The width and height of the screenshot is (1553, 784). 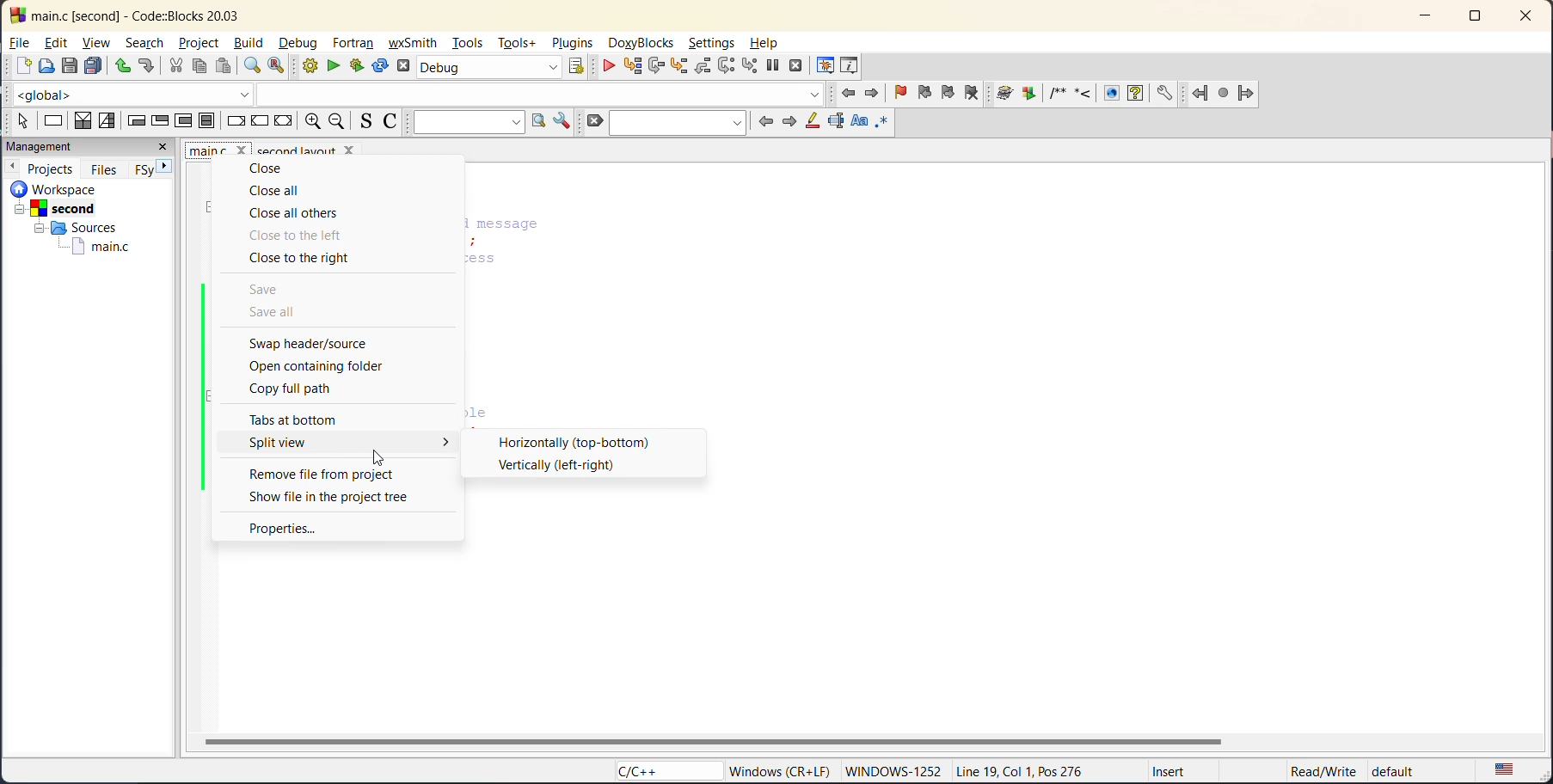 What do you see at coordinates (873, 95) in the screenshot?
I see `jump forward` at bounding box center [873, 95].